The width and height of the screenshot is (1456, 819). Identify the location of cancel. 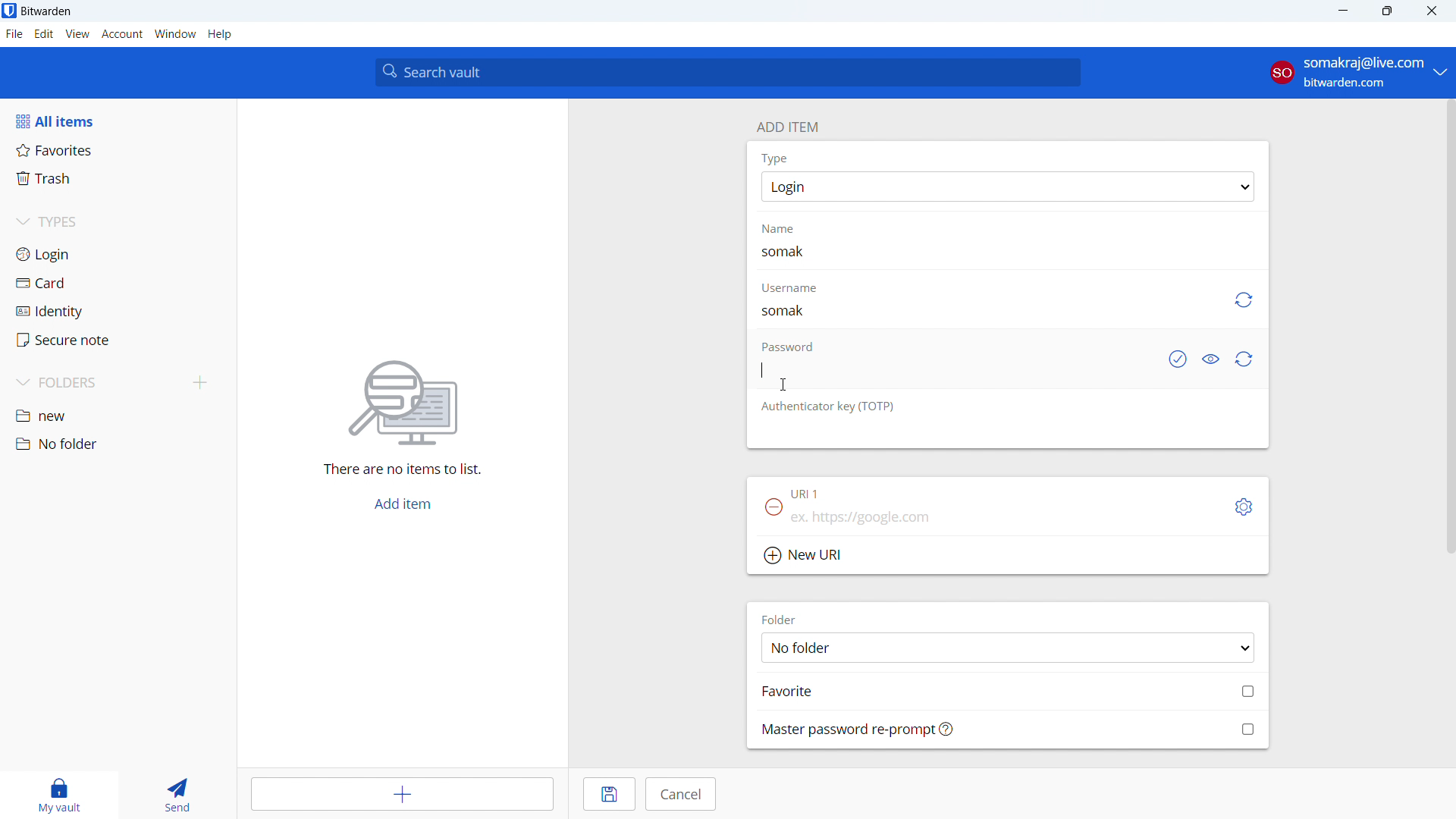
(680, 794).